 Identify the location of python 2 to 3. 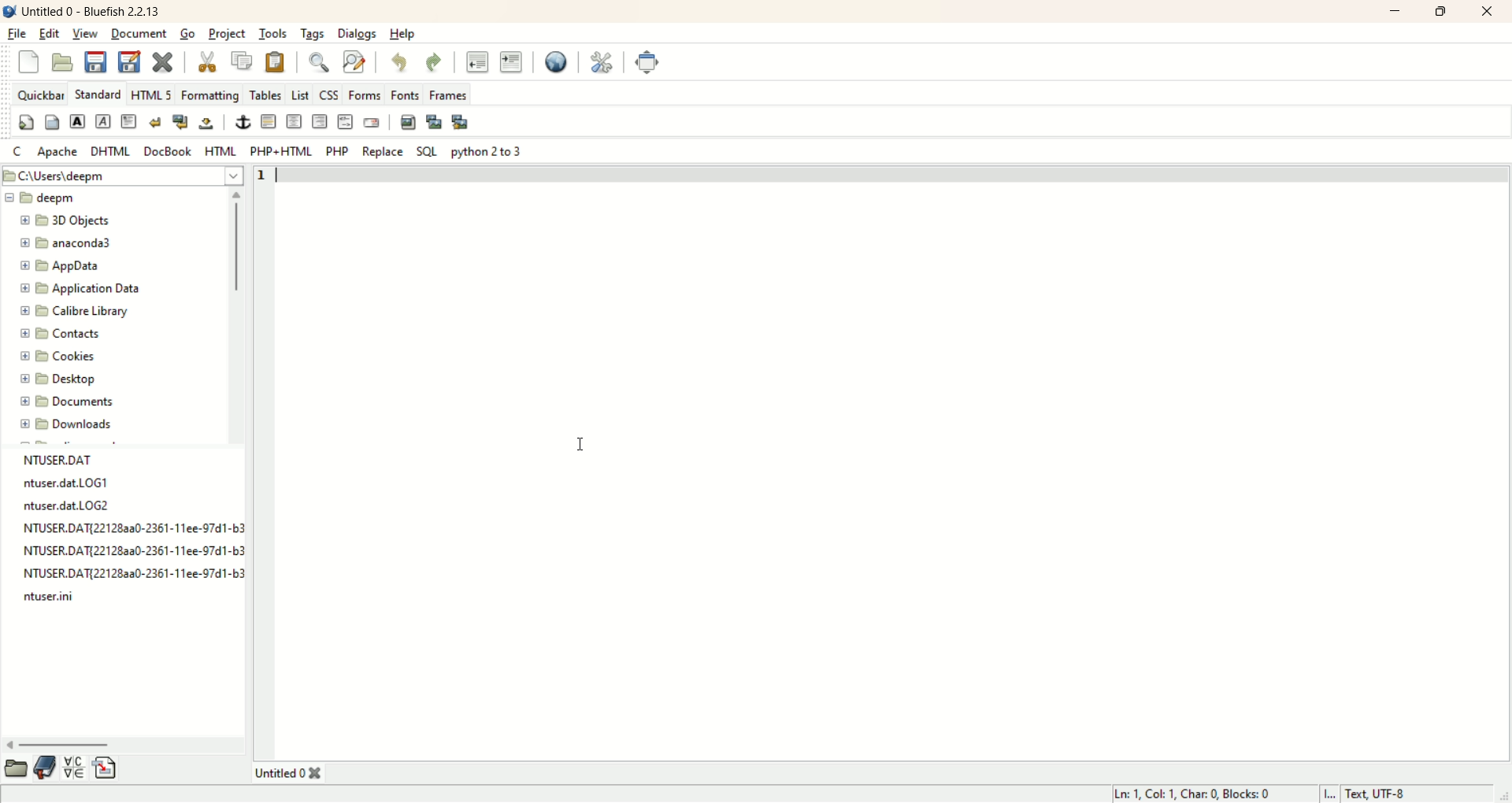
(487, 150).